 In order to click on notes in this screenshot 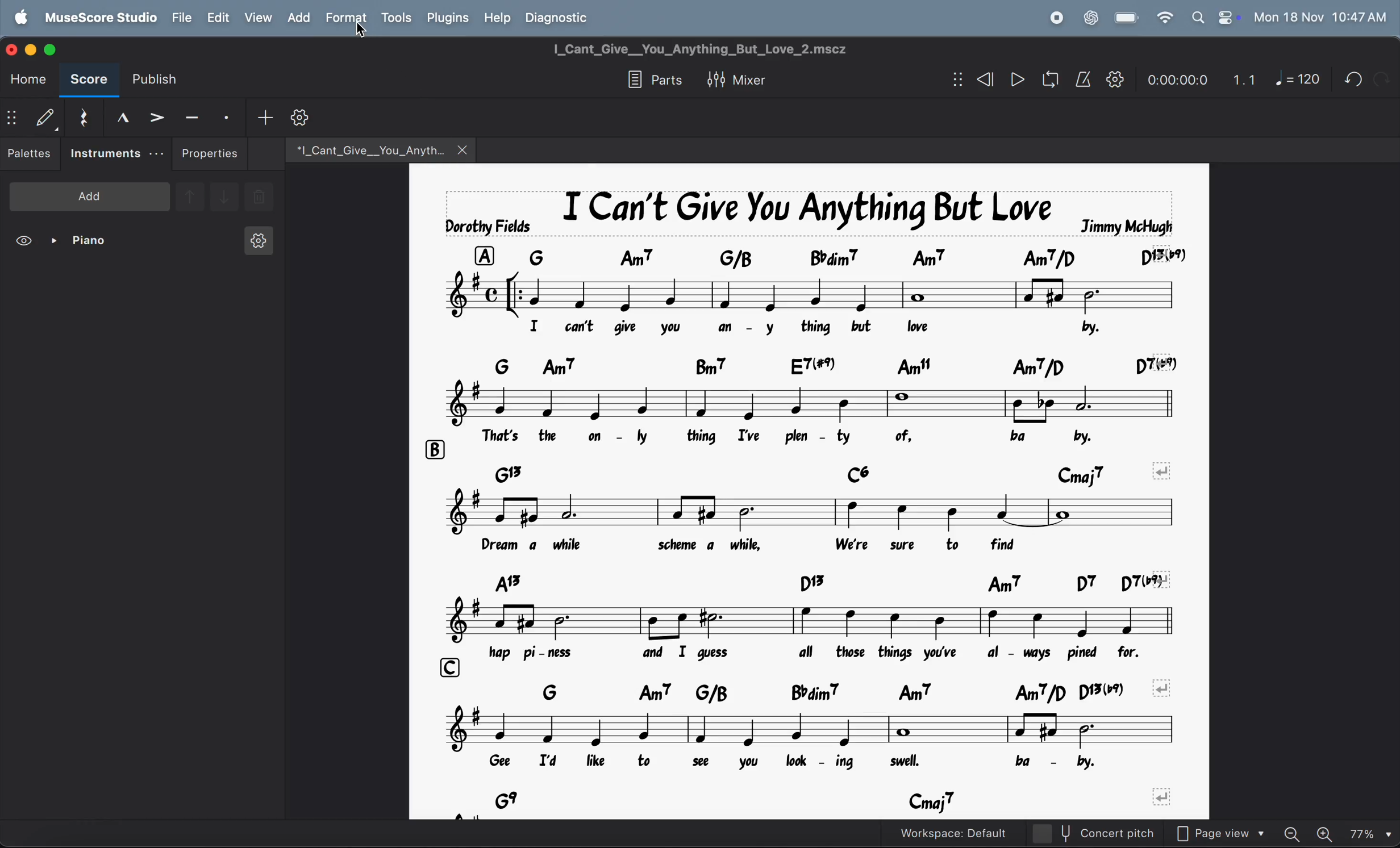, I will do `click(813, 730)`.